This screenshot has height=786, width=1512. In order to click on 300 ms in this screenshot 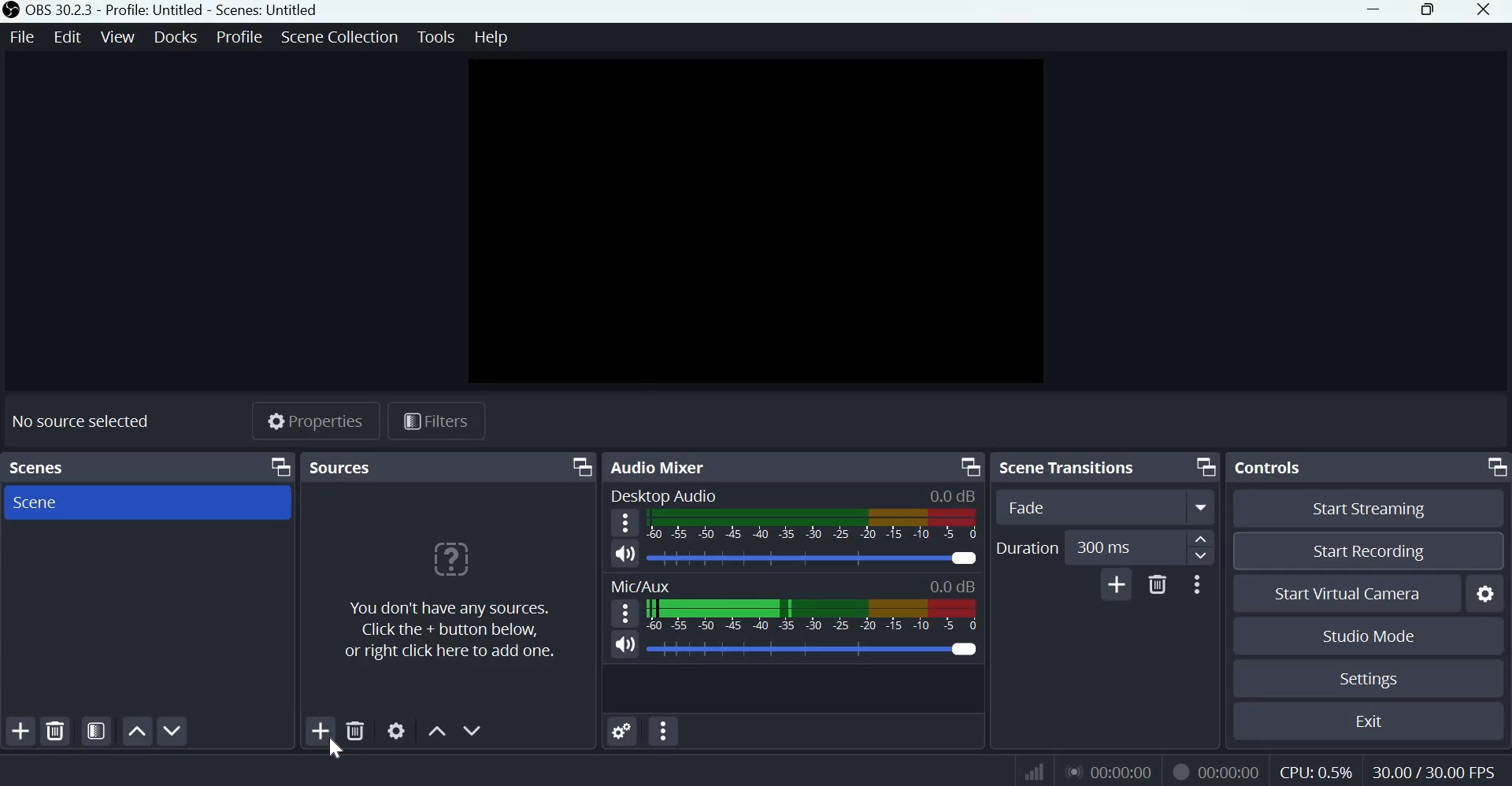, I will do `click(1127, 549)`.